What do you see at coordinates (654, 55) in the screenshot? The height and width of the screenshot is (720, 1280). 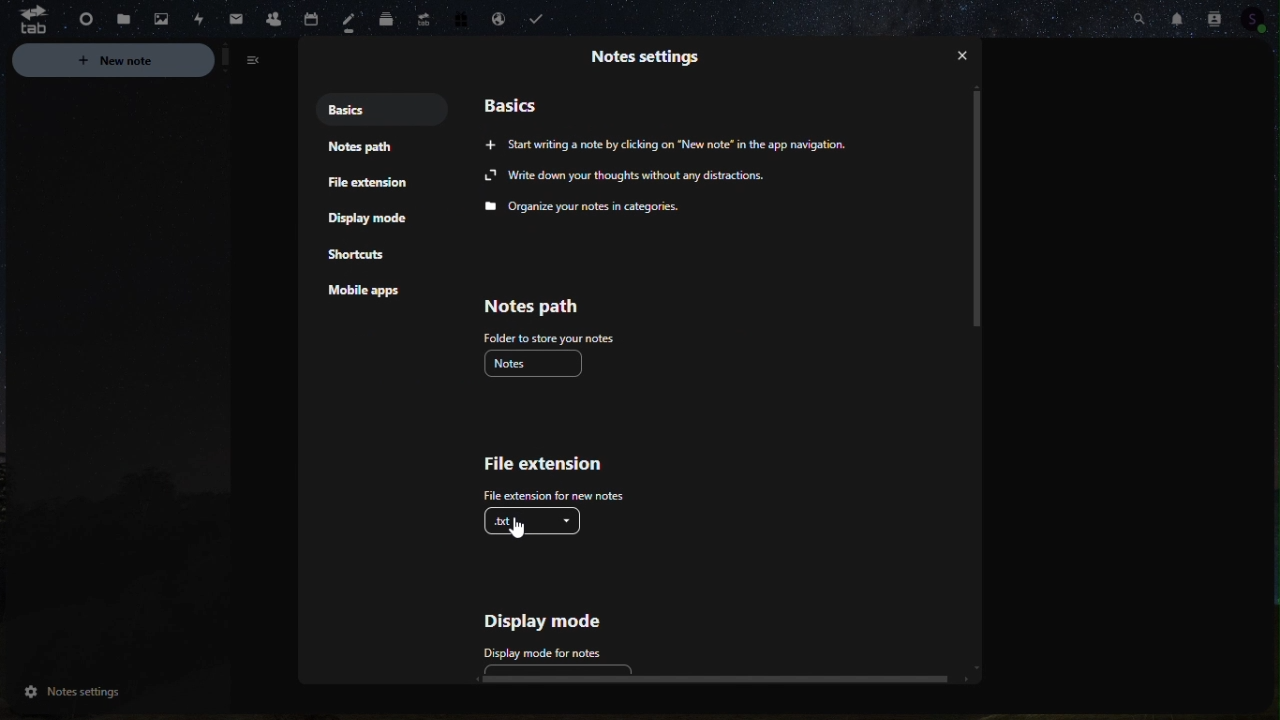 I see `Note settings` at bounding box center [654, 55].